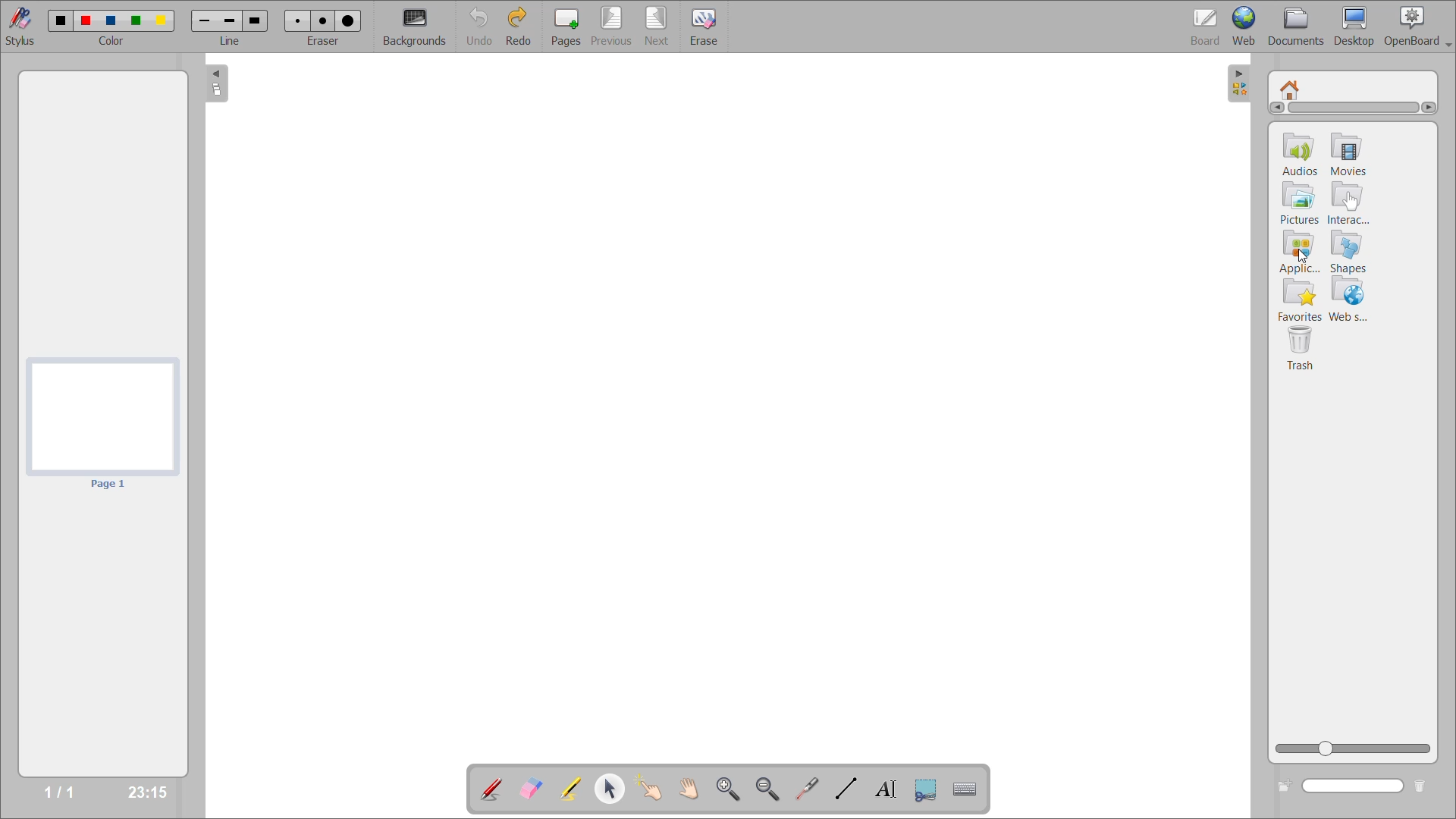  Describe the element at coordinates (1246, 25) in the screenshot. I see `web` at that location.